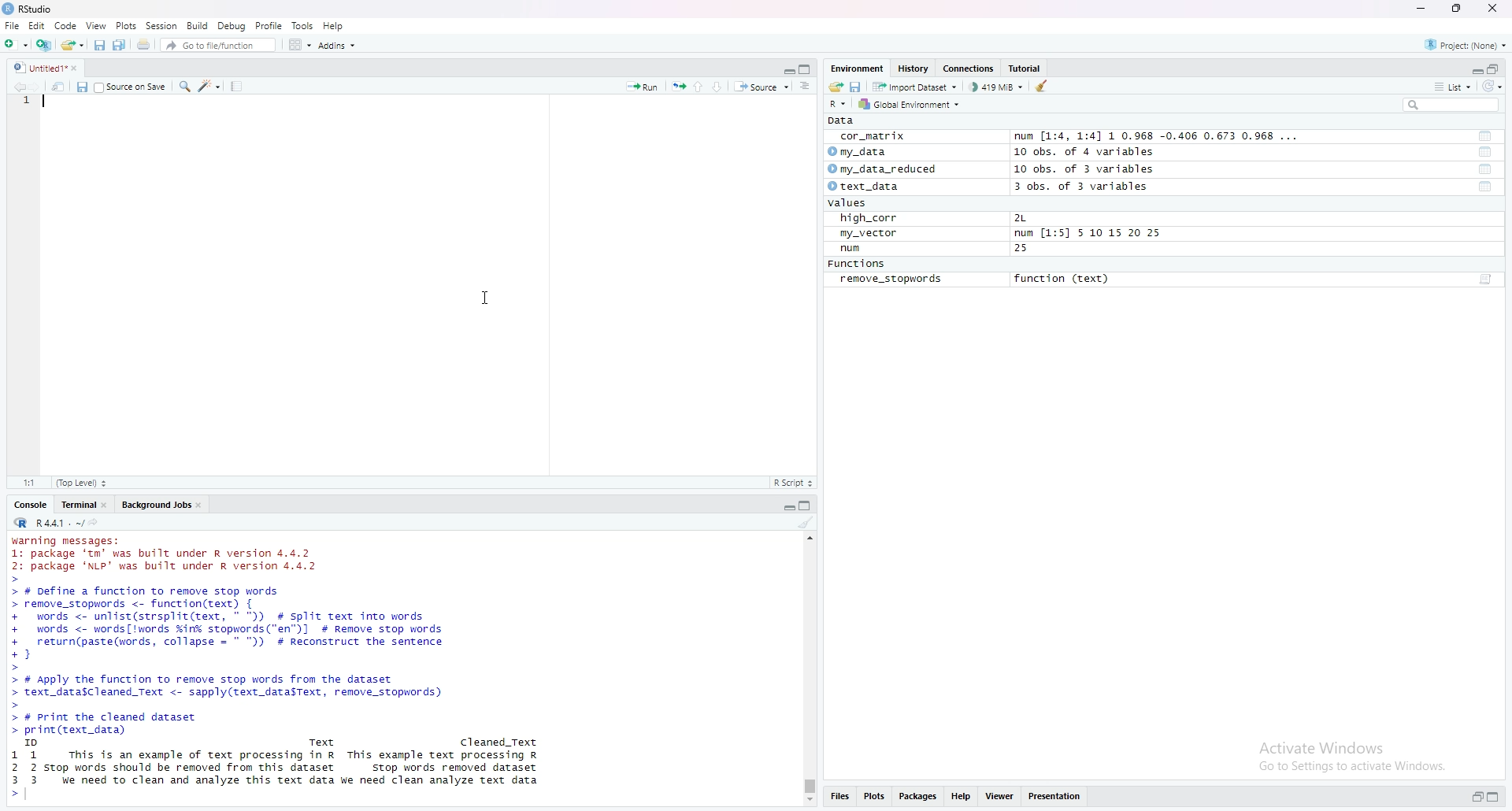 The width and height of the screenshot is (1512, 811). What do you see at coordinates (337, 45) in the screenshot?
I see `Addins ` at bounding box center [337, 45].